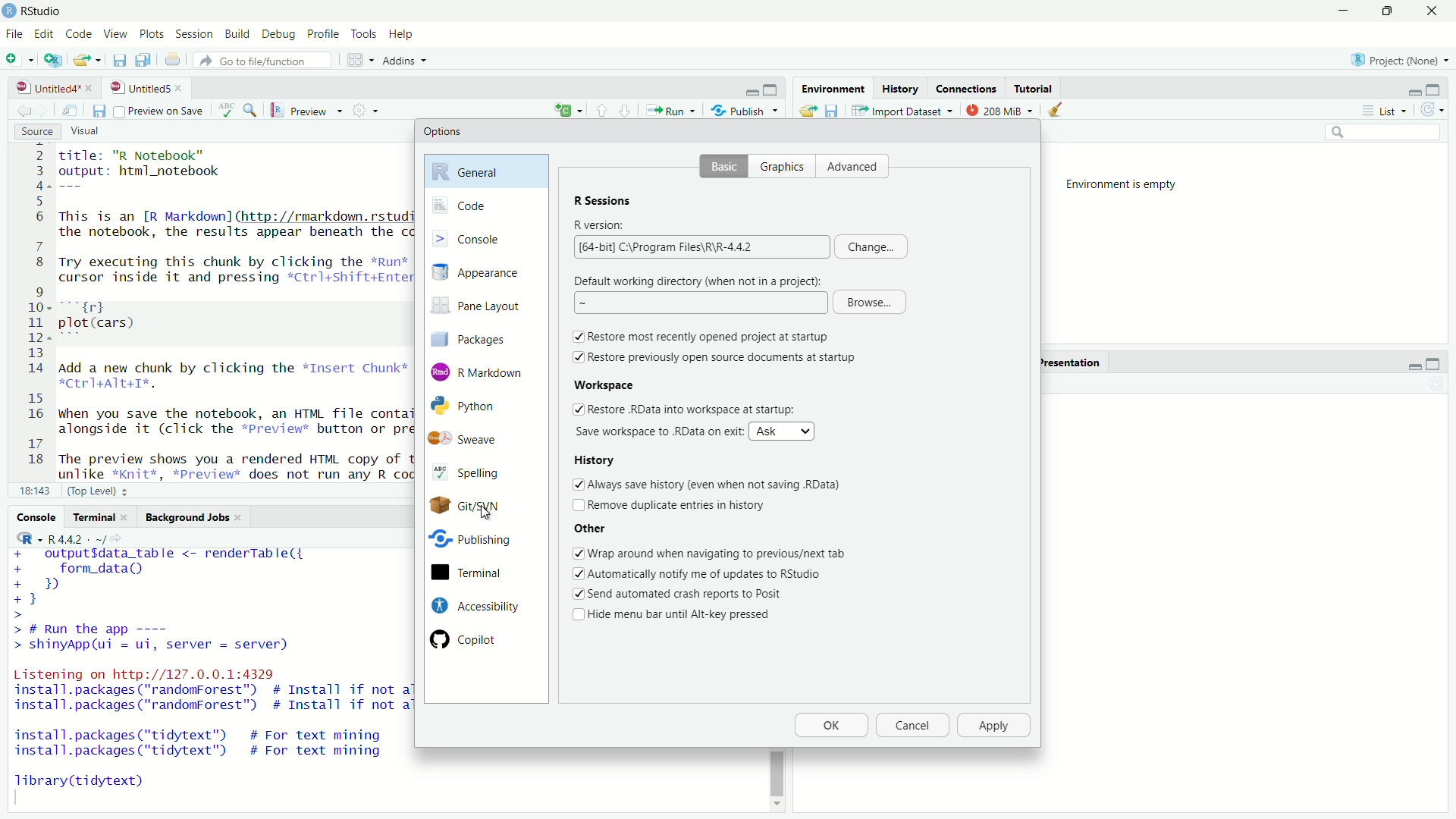  I want to click on RStudio, so click(44, 11).